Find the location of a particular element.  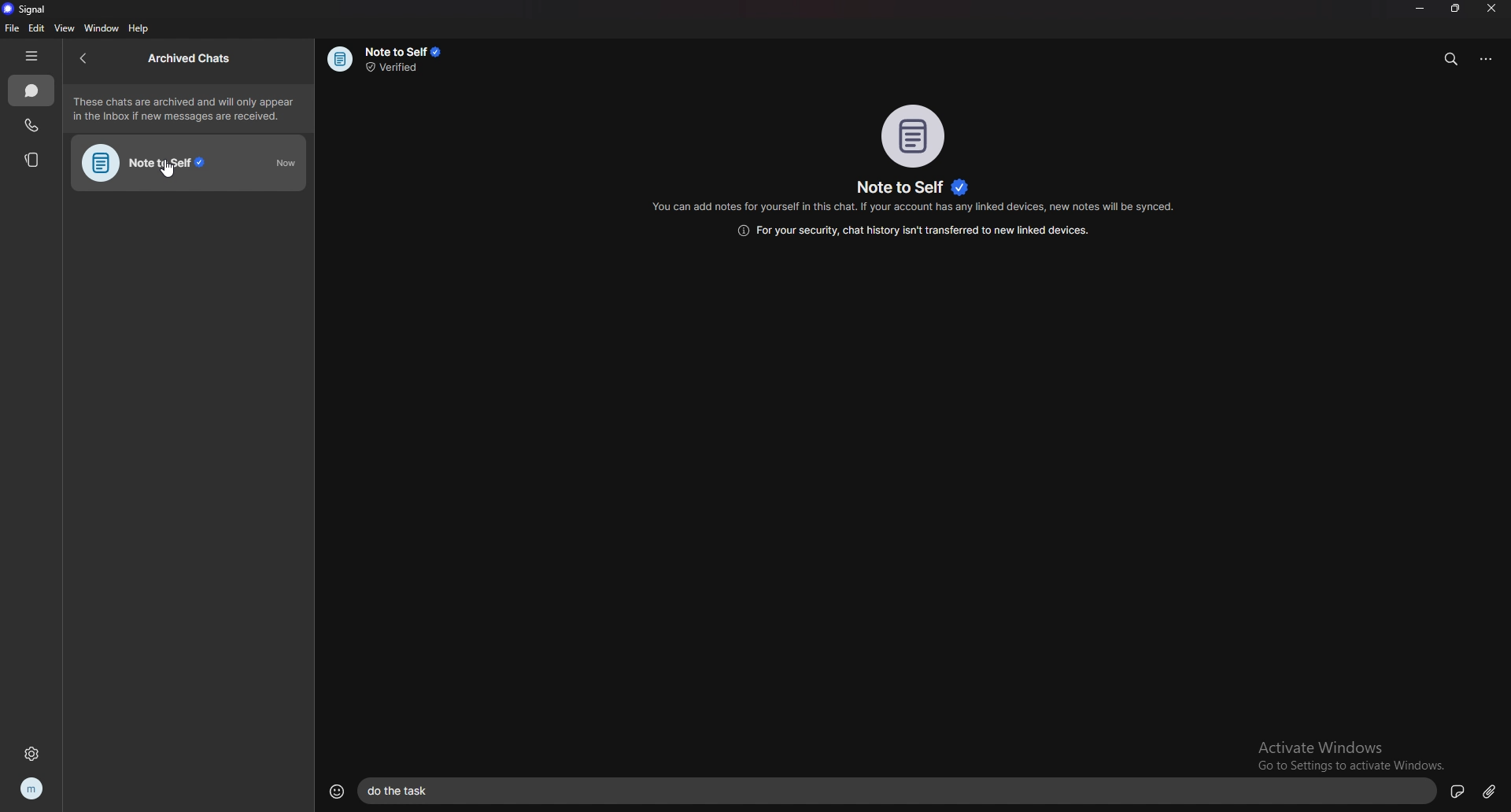

options is located at coordinates (1488, 59).